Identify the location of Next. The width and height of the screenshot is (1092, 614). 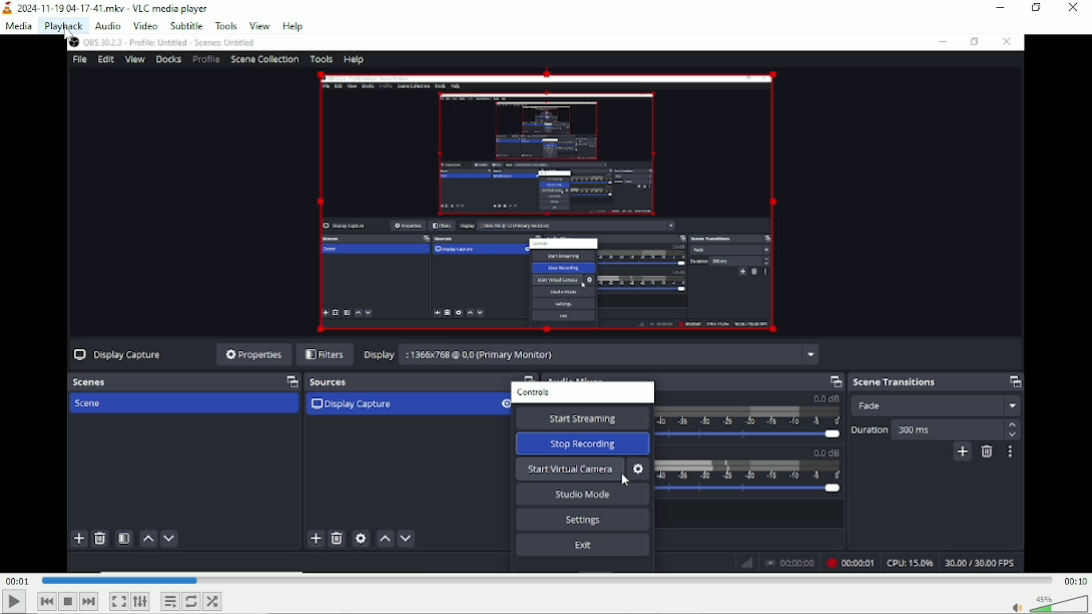
(88, 601).